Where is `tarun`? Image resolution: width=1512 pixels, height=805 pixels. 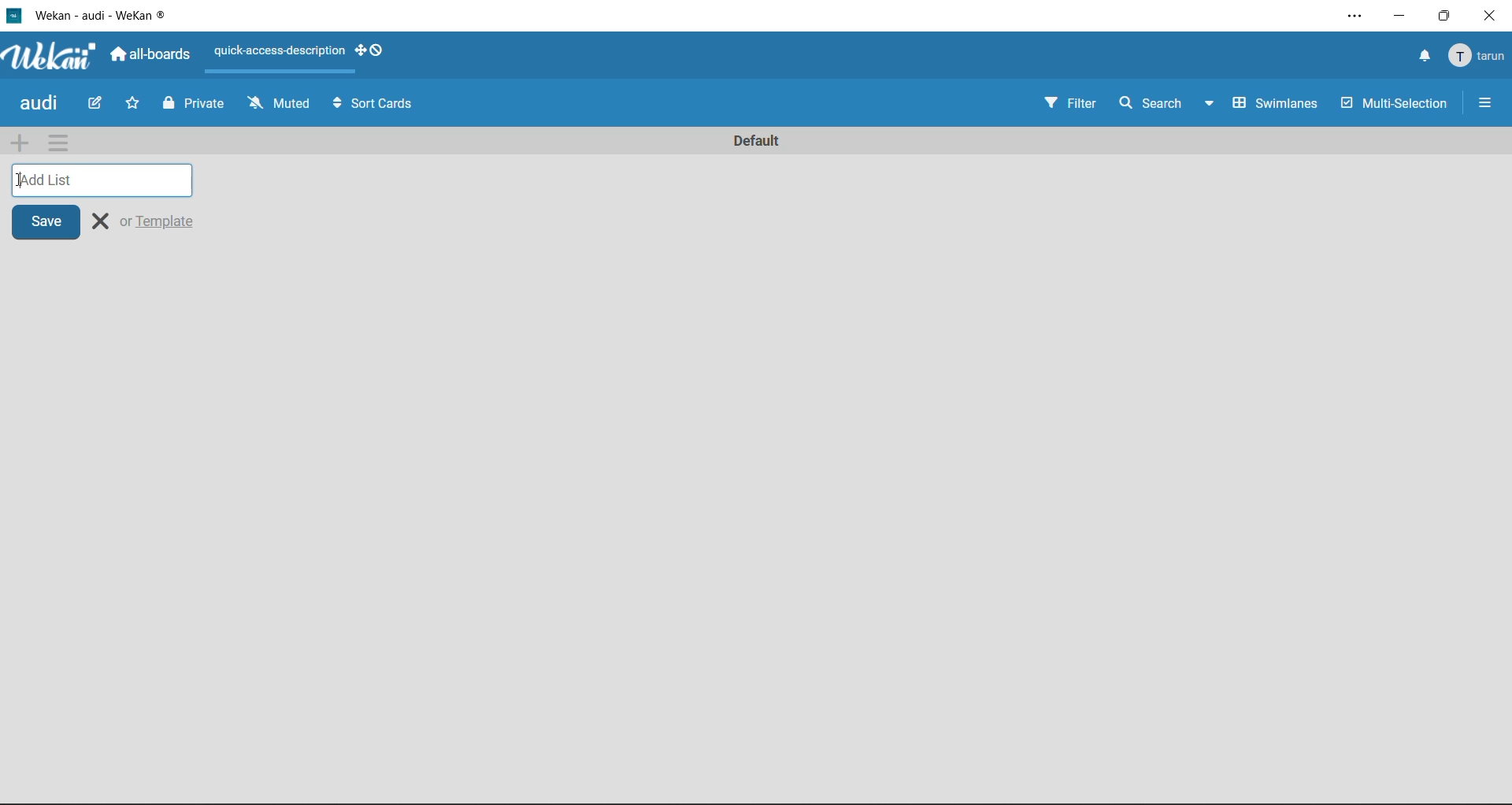 tarun is located at coordinates (1479, 55).